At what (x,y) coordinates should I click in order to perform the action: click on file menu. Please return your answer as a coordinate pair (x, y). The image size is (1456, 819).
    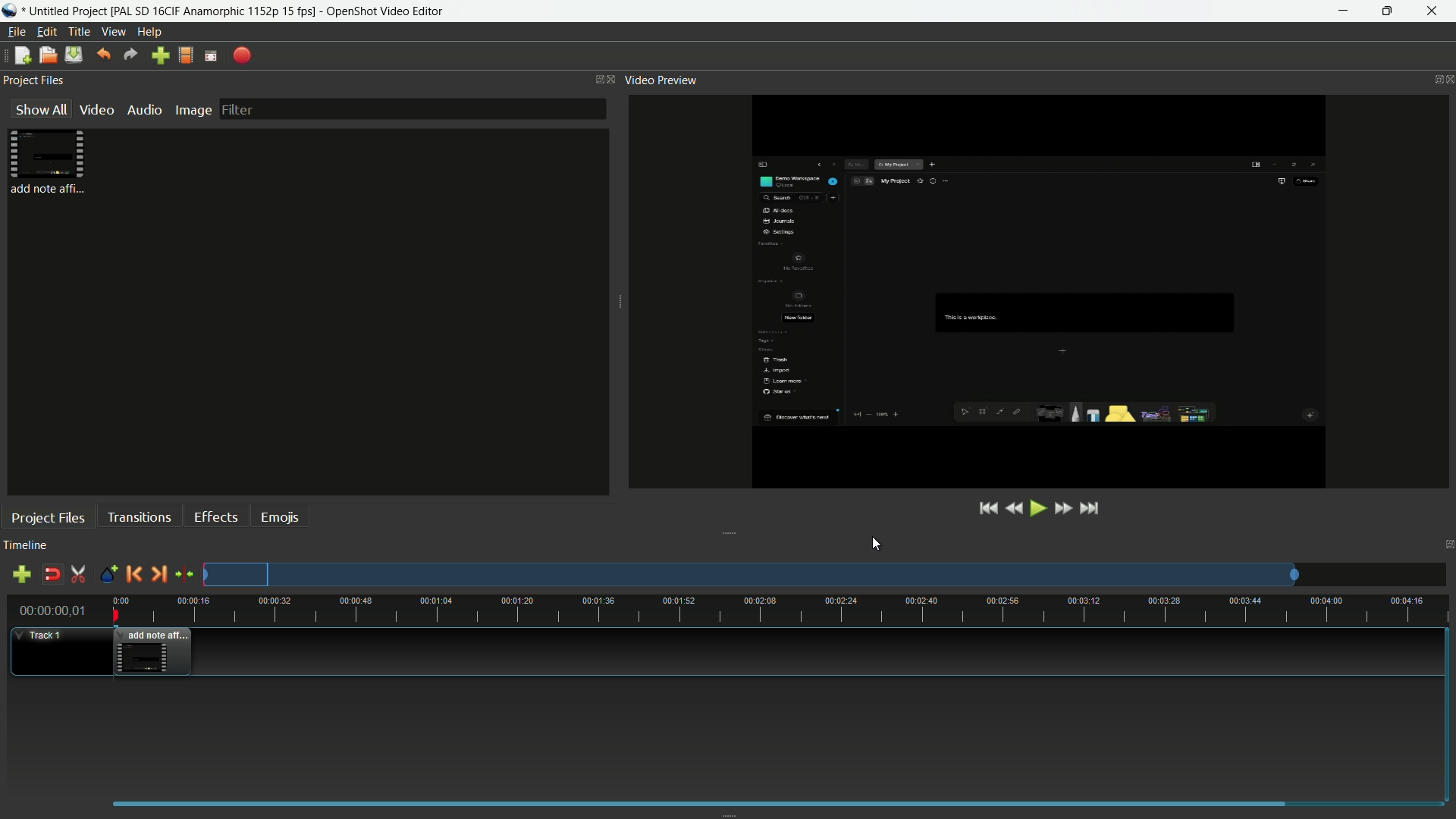
    Looking at the image, I should click on (16, 32).